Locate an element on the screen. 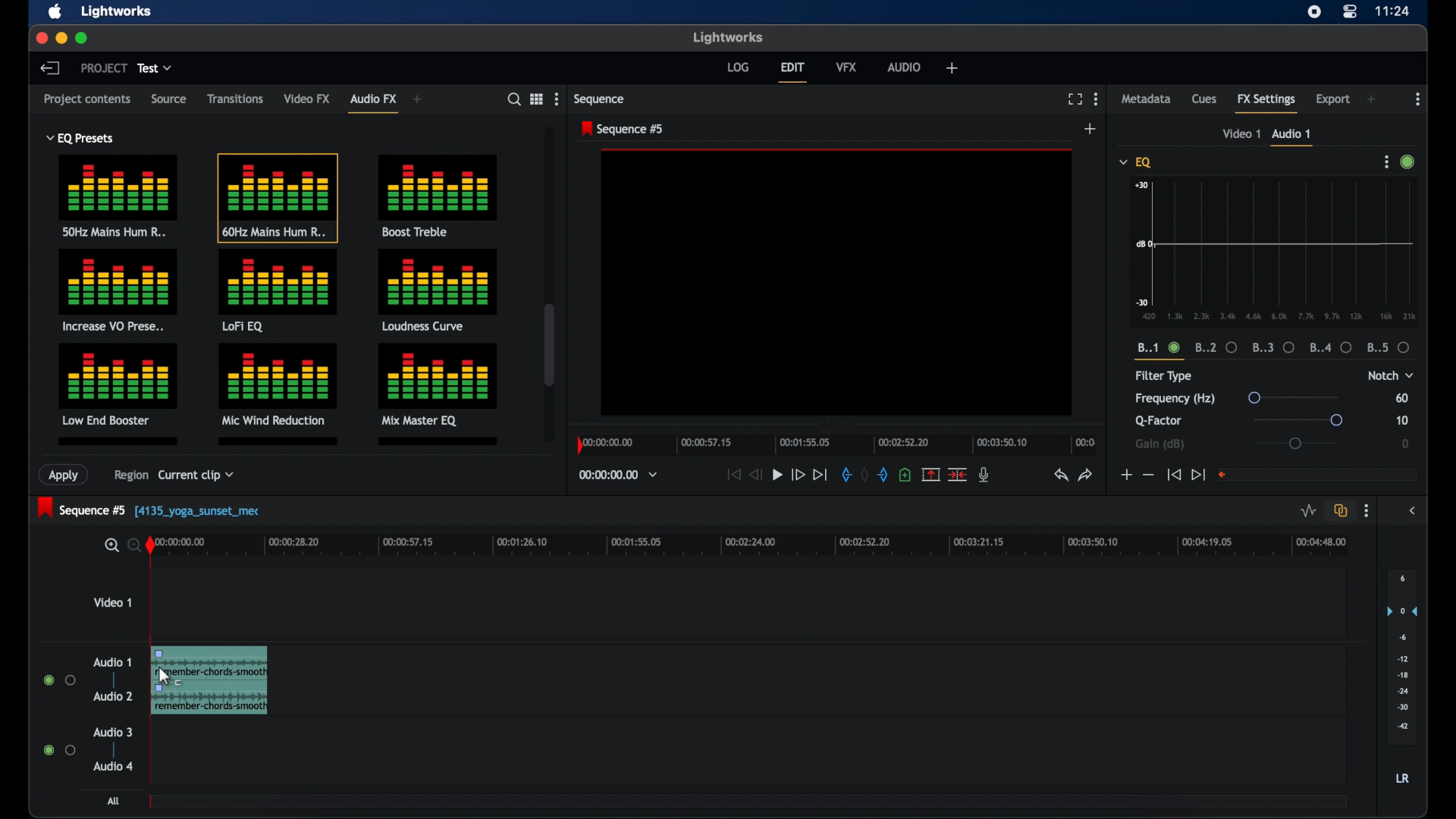 The image size is (1456, 819). increment is located at coordinates (1125, 475).